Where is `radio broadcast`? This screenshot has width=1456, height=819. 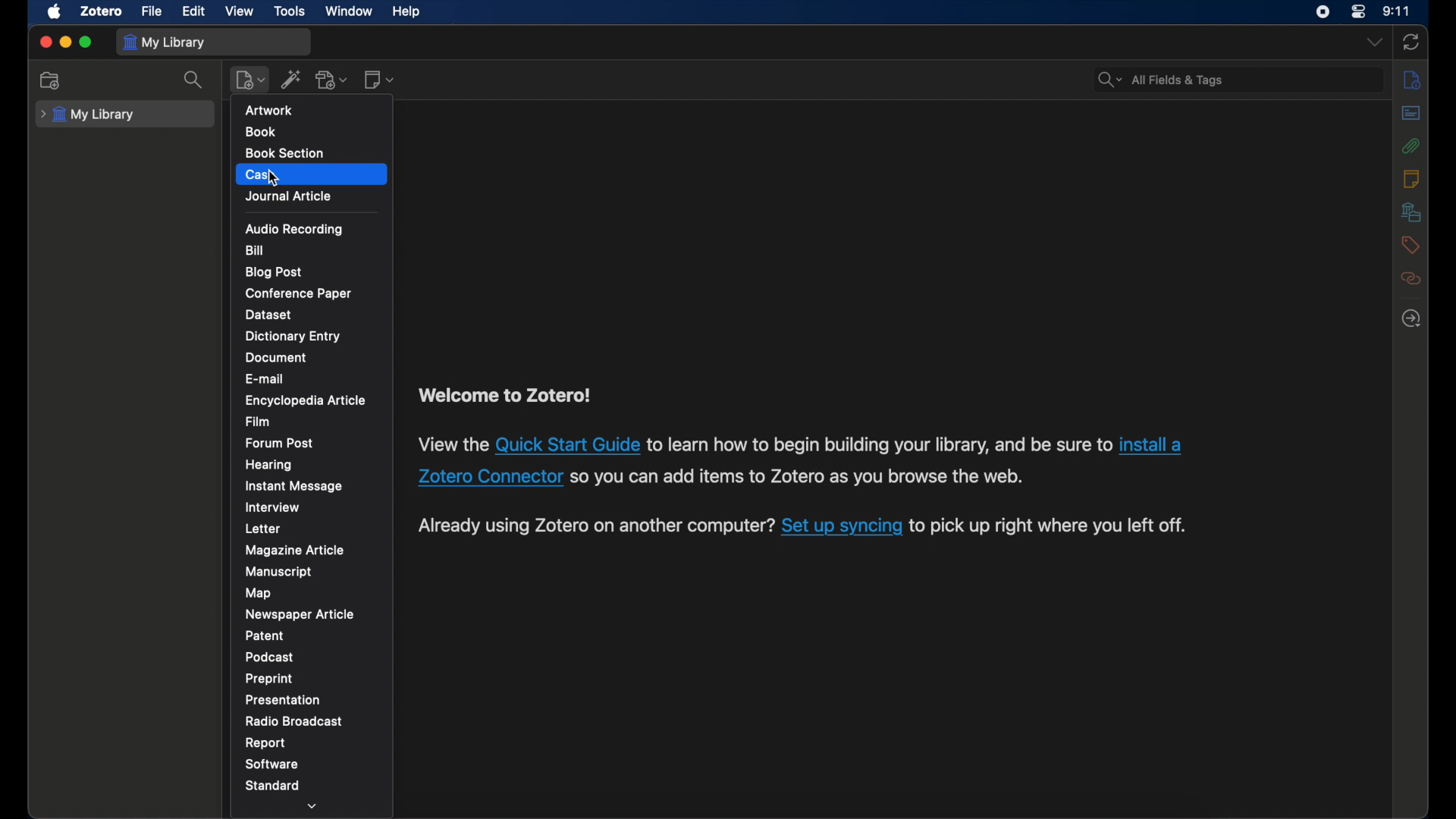 radio broadcast is located at coordinates (295, 720).